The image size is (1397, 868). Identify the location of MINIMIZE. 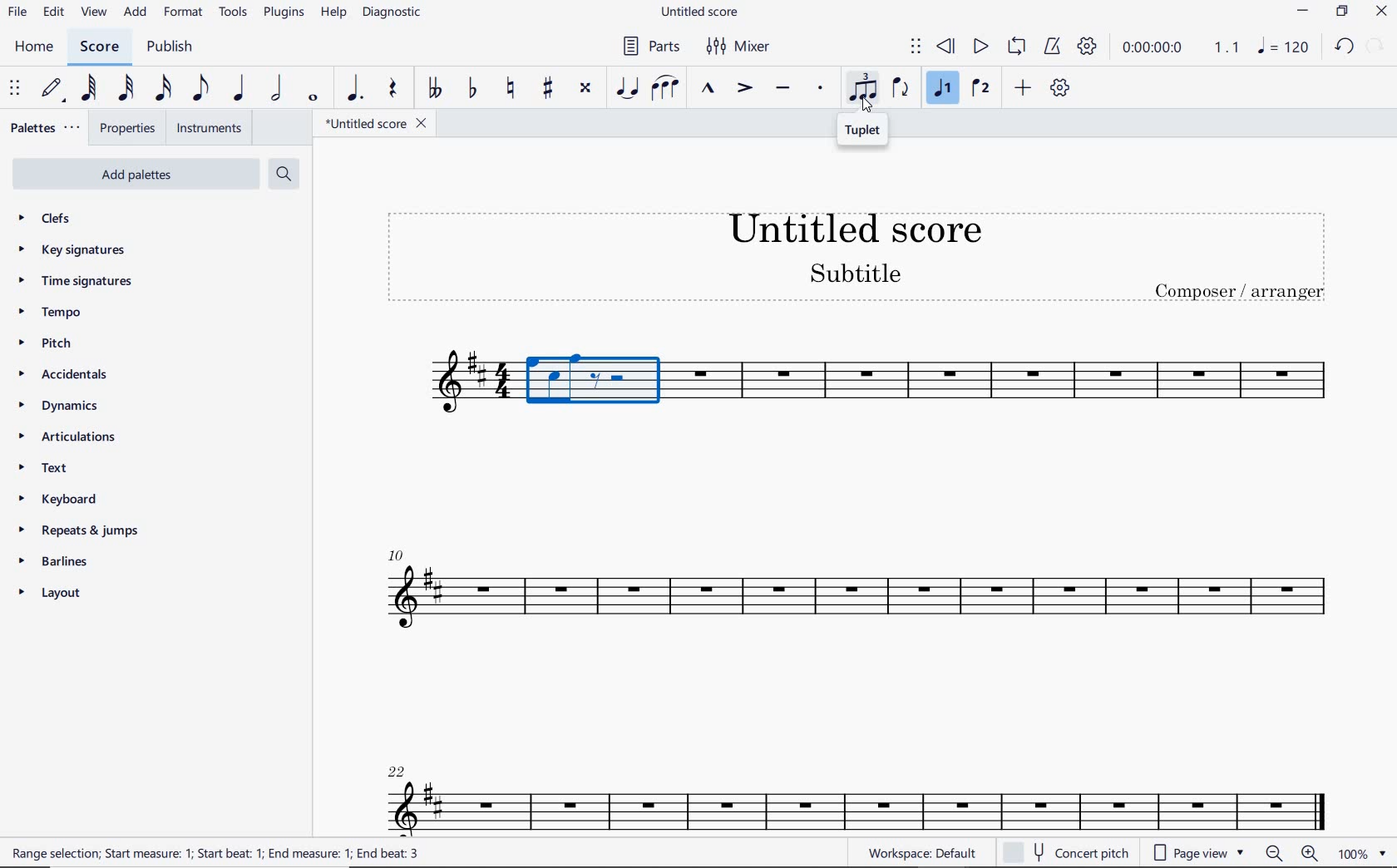
(1306, 12).